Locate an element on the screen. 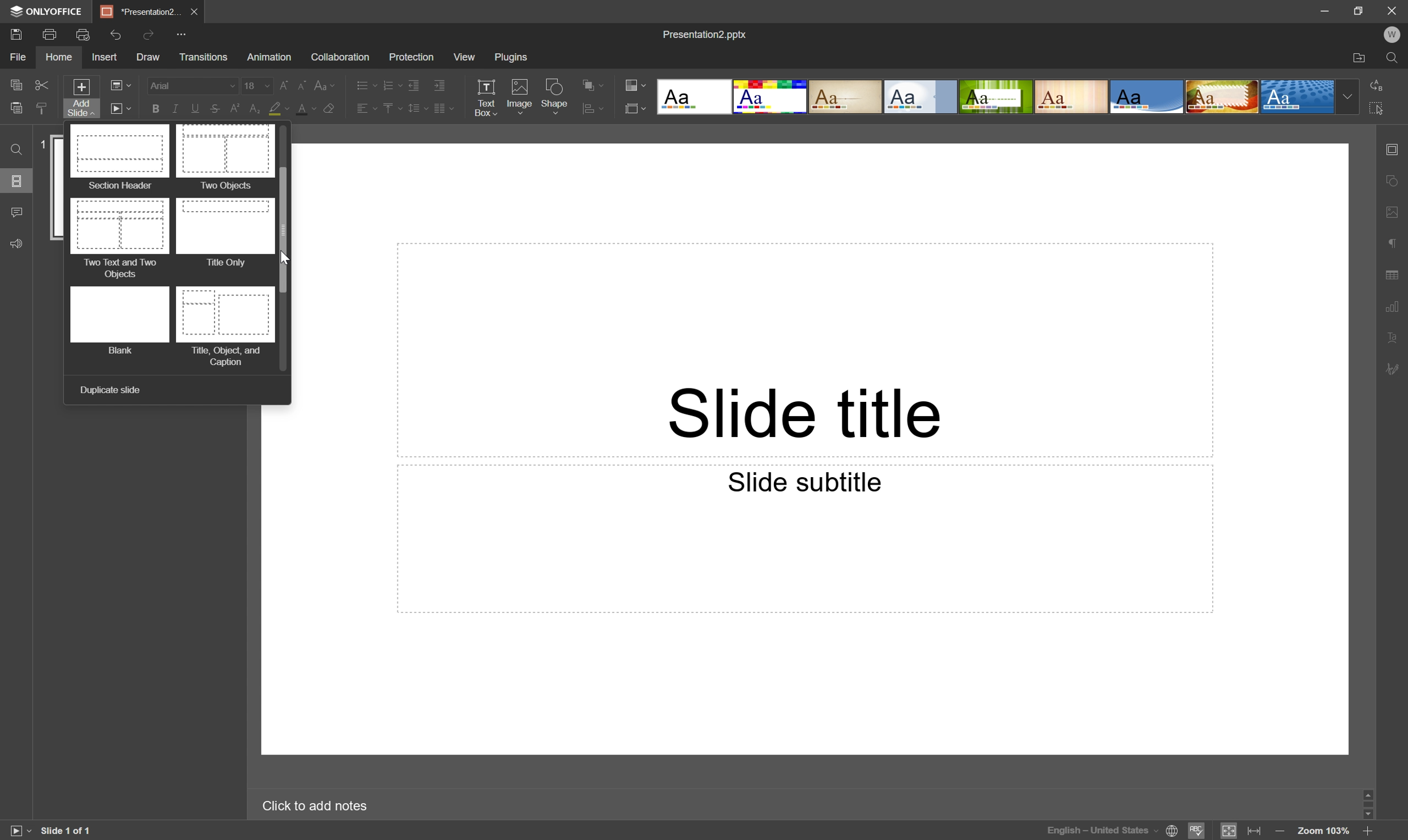 This screenshot has height=840, width=1408. ONLYOFFICE is located at coordinates (49, 11).